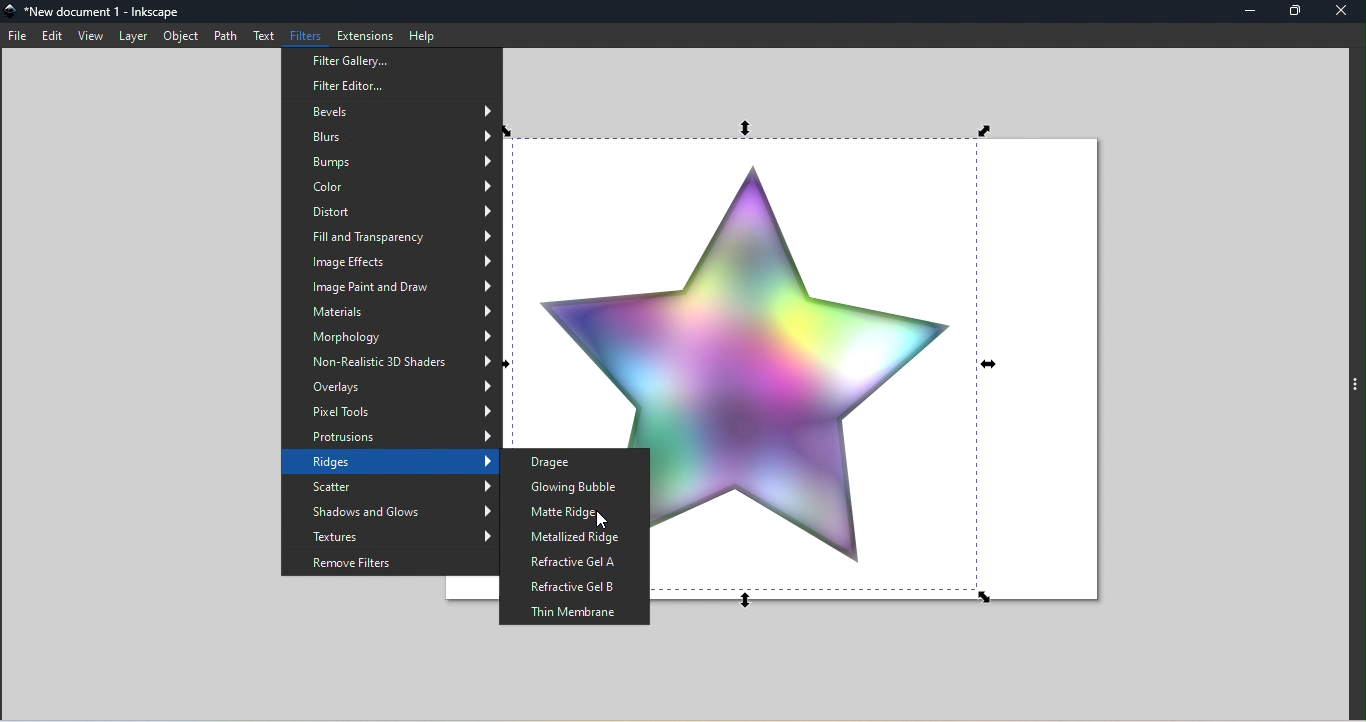  What do you see at coordinates (575, 537) in the screenshot?
I see `Metallized ridge` at bounding box center [575, 537].